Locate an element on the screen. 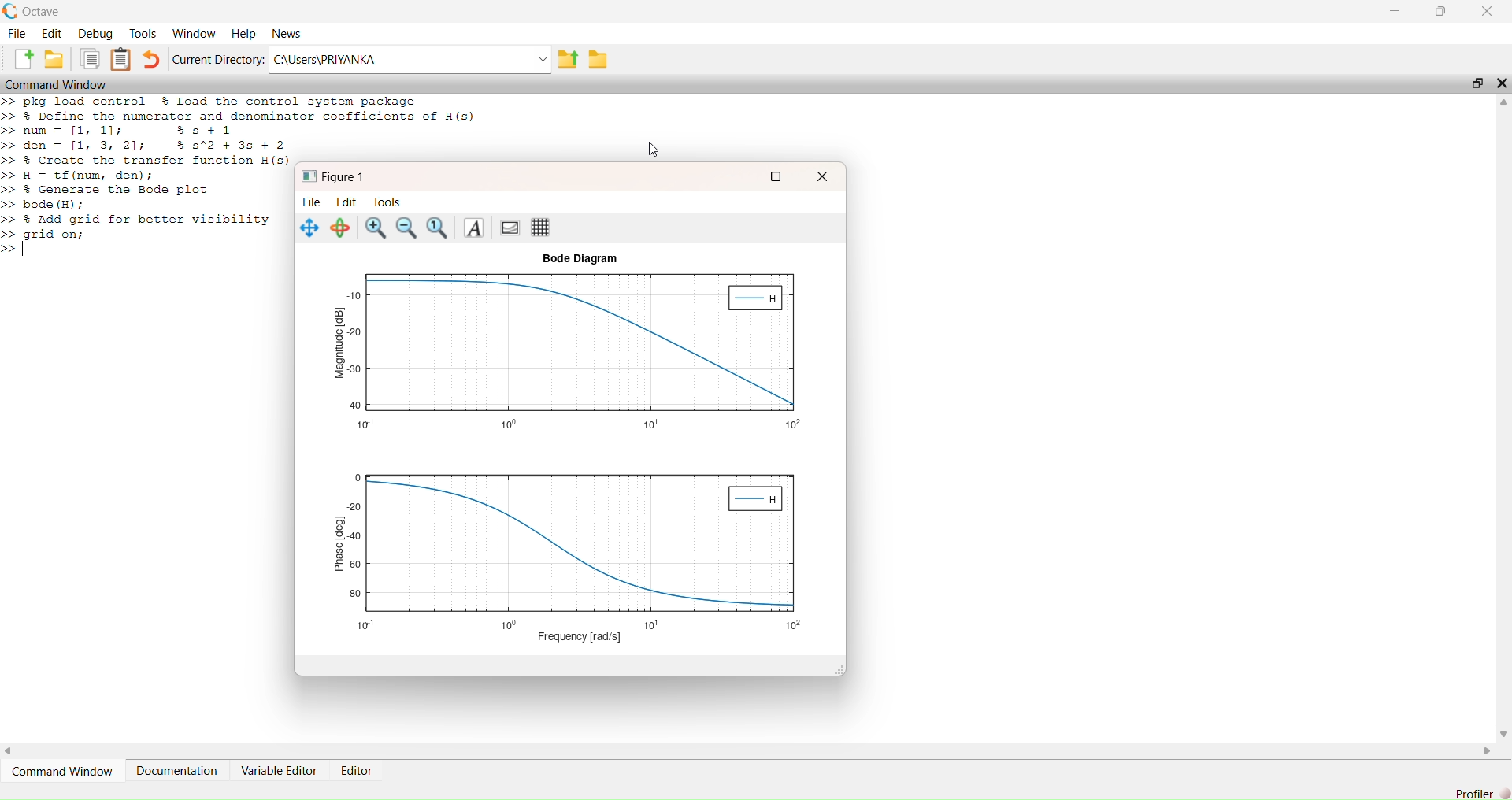  Octave is located at coordinates (43, 13).